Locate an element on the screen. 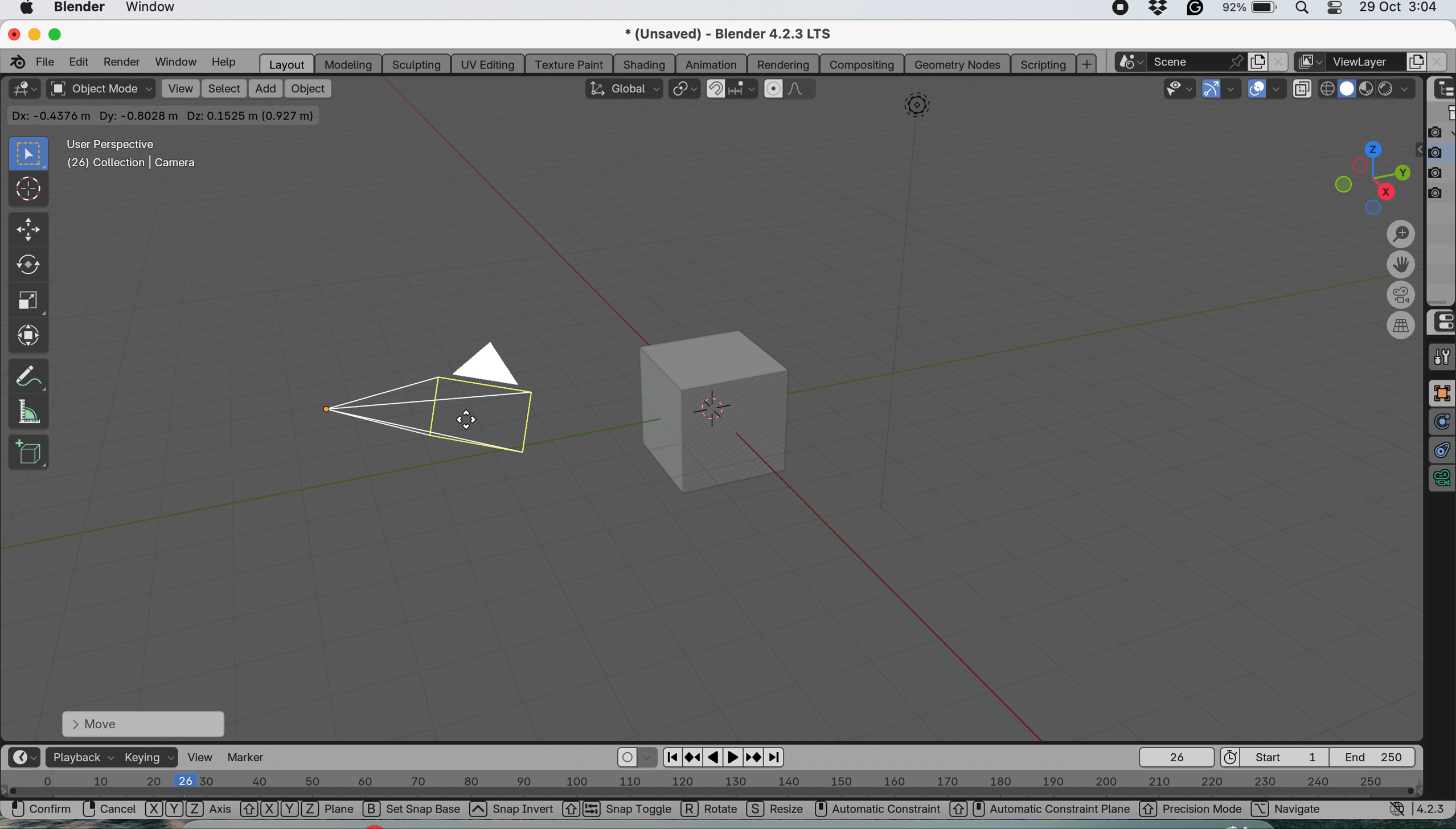 Image resolution: width=1456 pixels, height=829 pixels. Forward is located at coordinates (754, 757).